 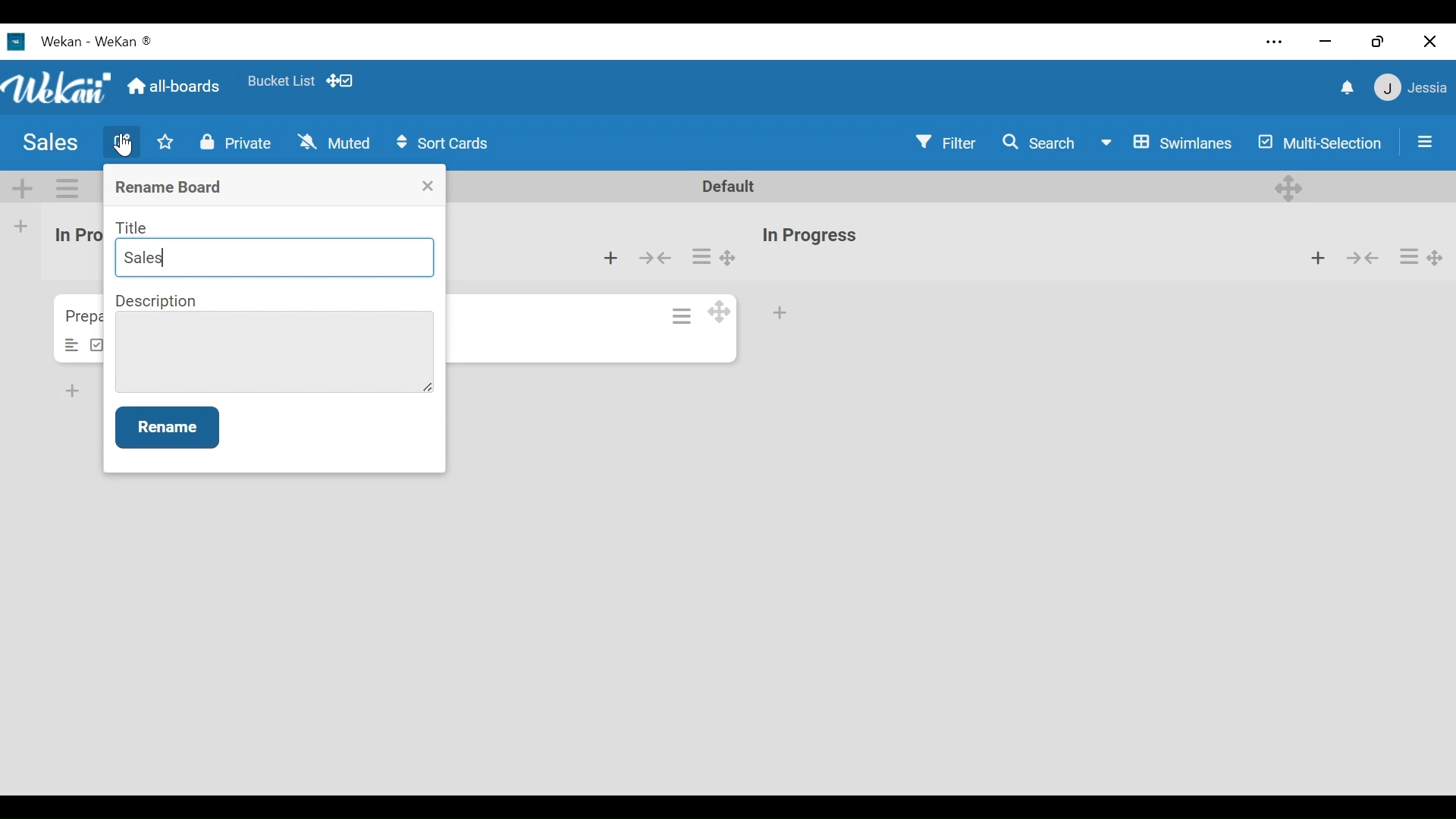 I want to click on list actions, so click(x=1410, y=257).